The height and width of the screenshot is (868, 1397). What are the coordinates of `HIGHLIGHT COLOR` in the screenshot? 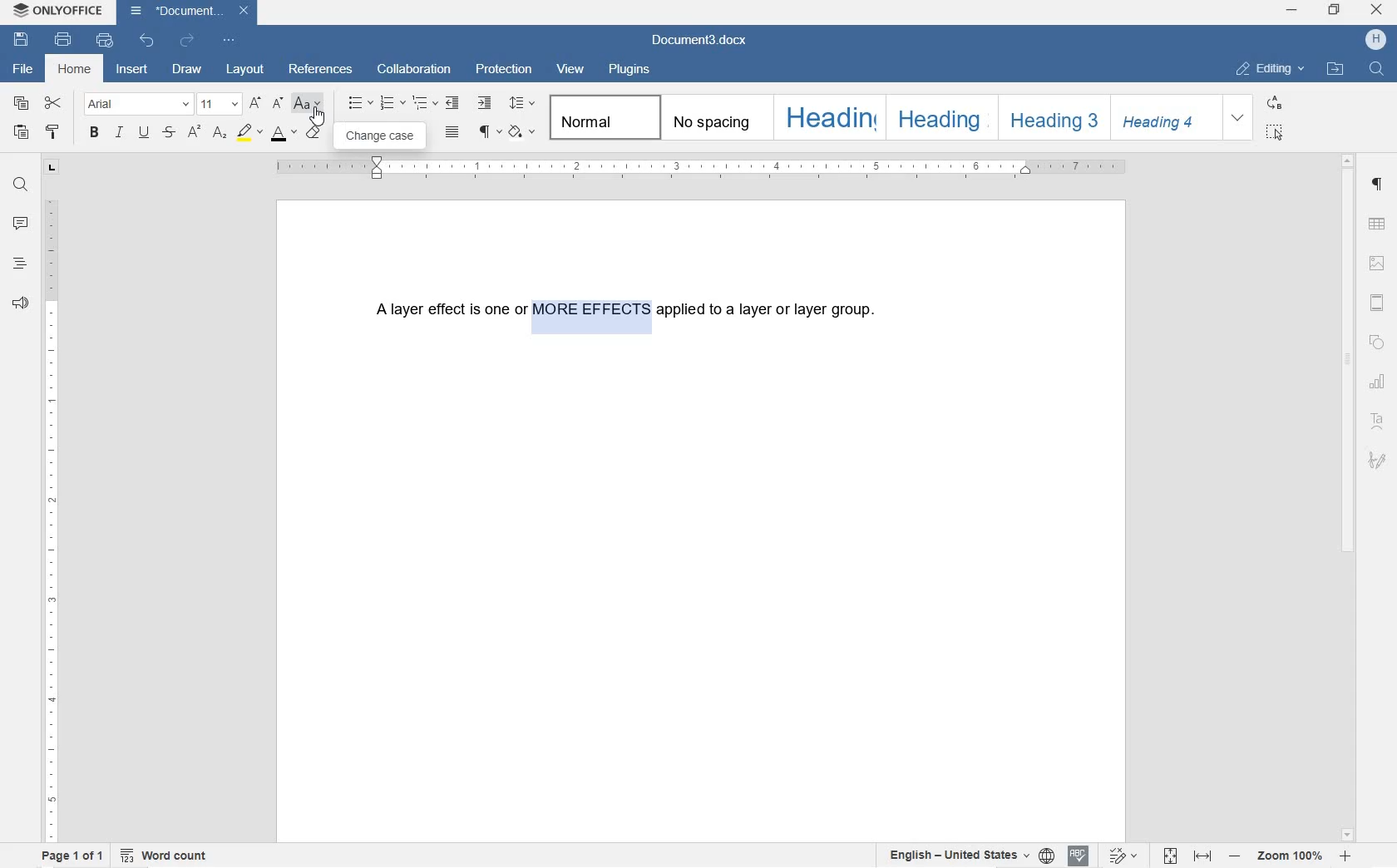 It's located at (249, 132).